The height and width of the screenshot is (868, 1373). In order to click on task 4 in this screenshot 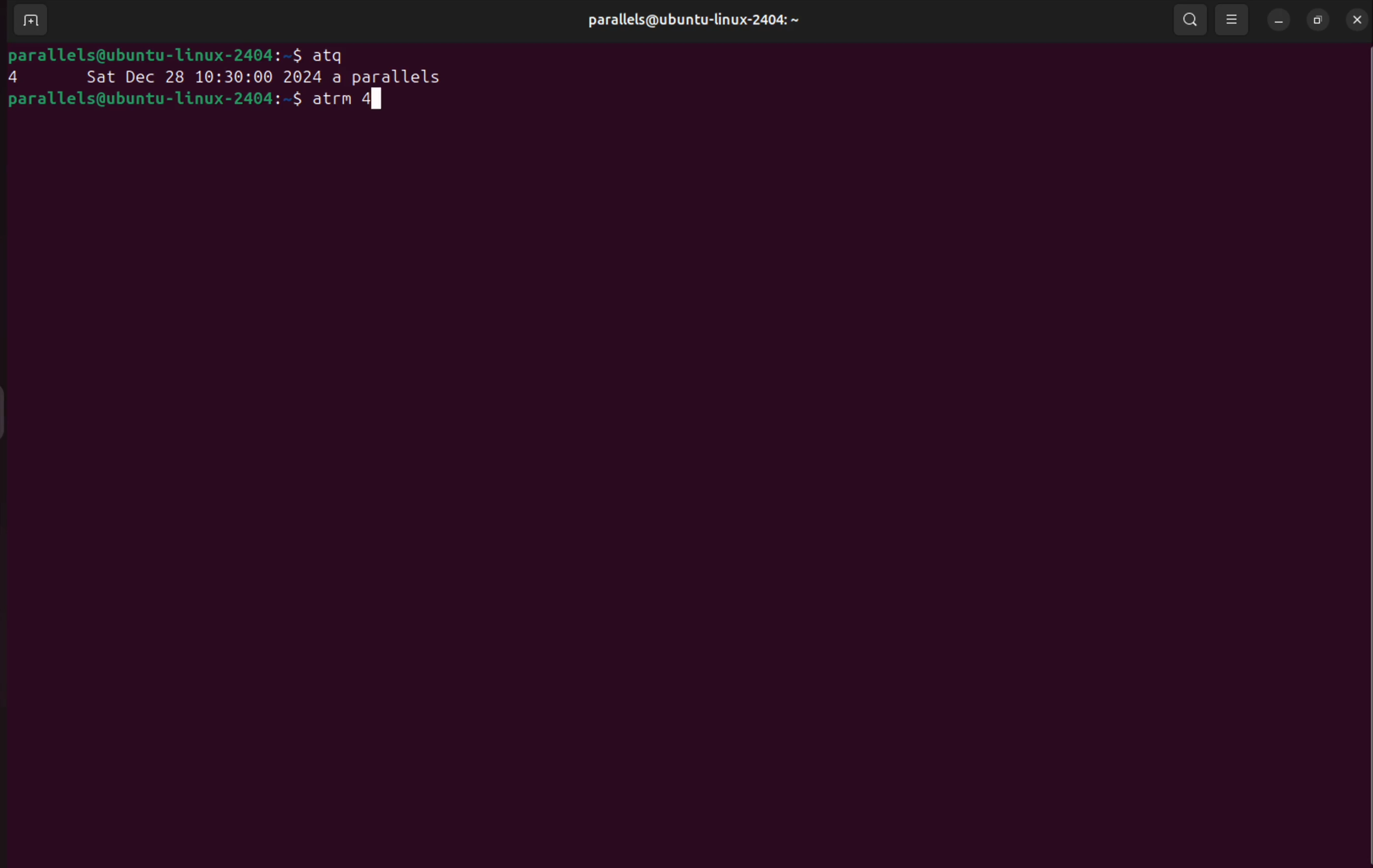, I will do `click(234, 78)`.